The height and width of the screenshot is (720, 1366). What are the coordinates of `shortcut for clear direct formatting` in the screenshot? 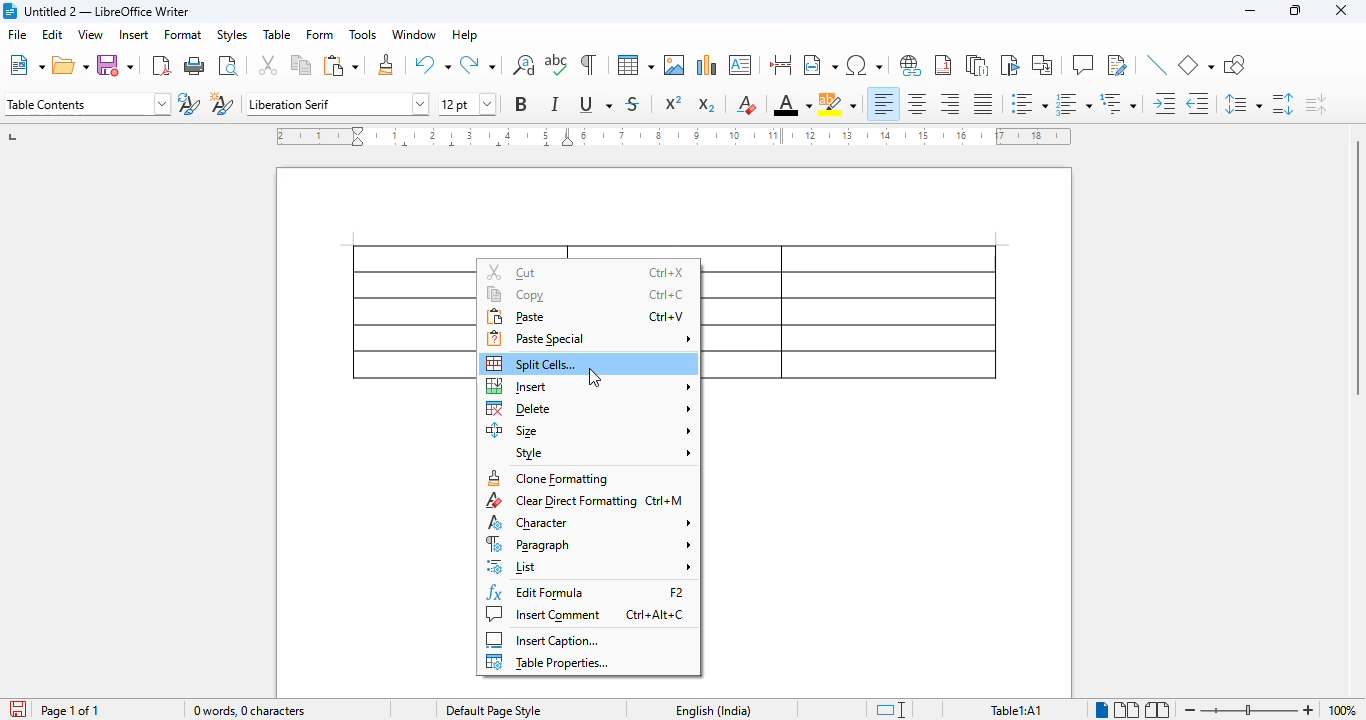 It's located at (666, 500).